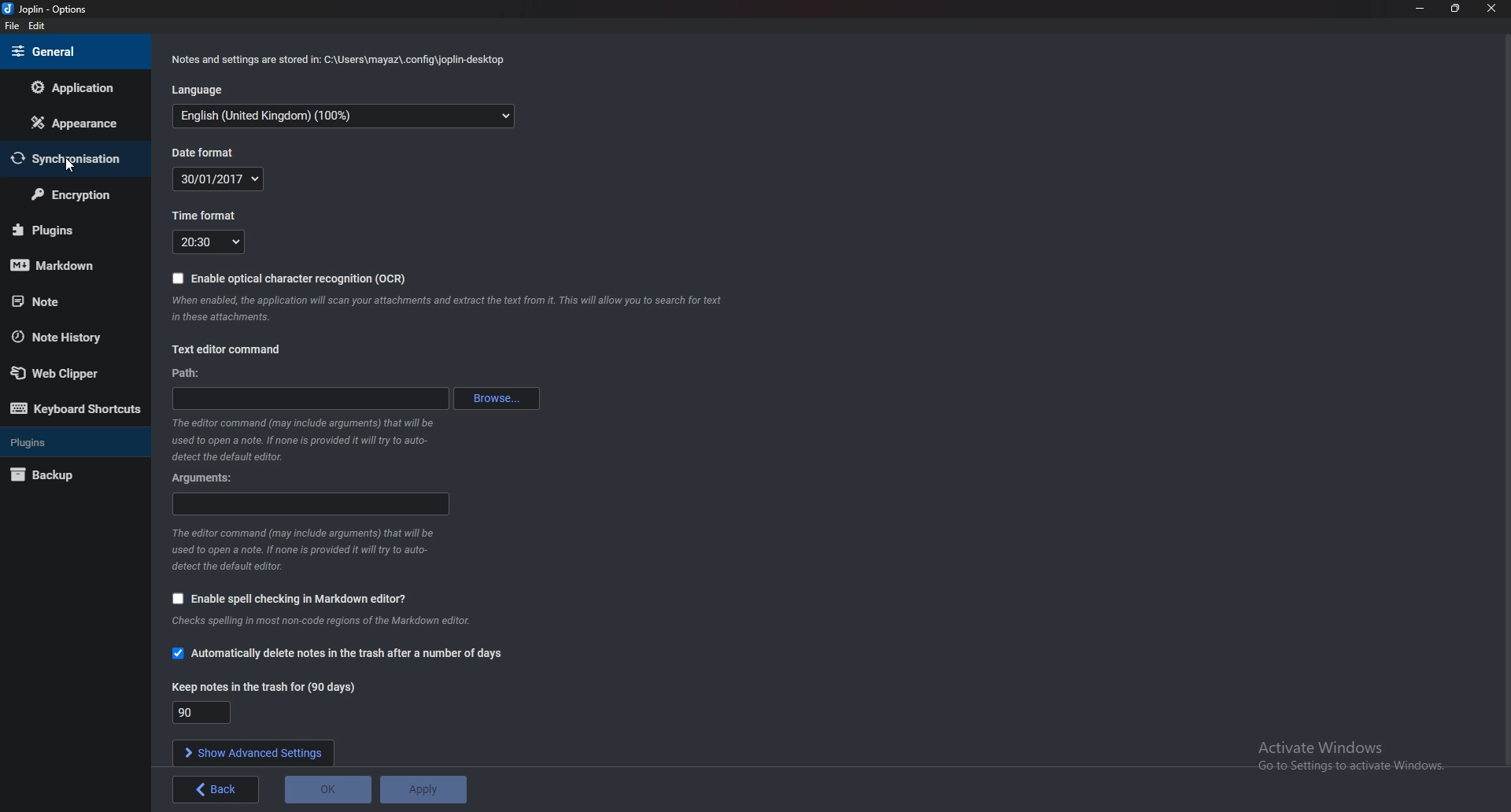 The height and width of the screenshot is (812, 1511). I want to click on close, so click(1491, 9).